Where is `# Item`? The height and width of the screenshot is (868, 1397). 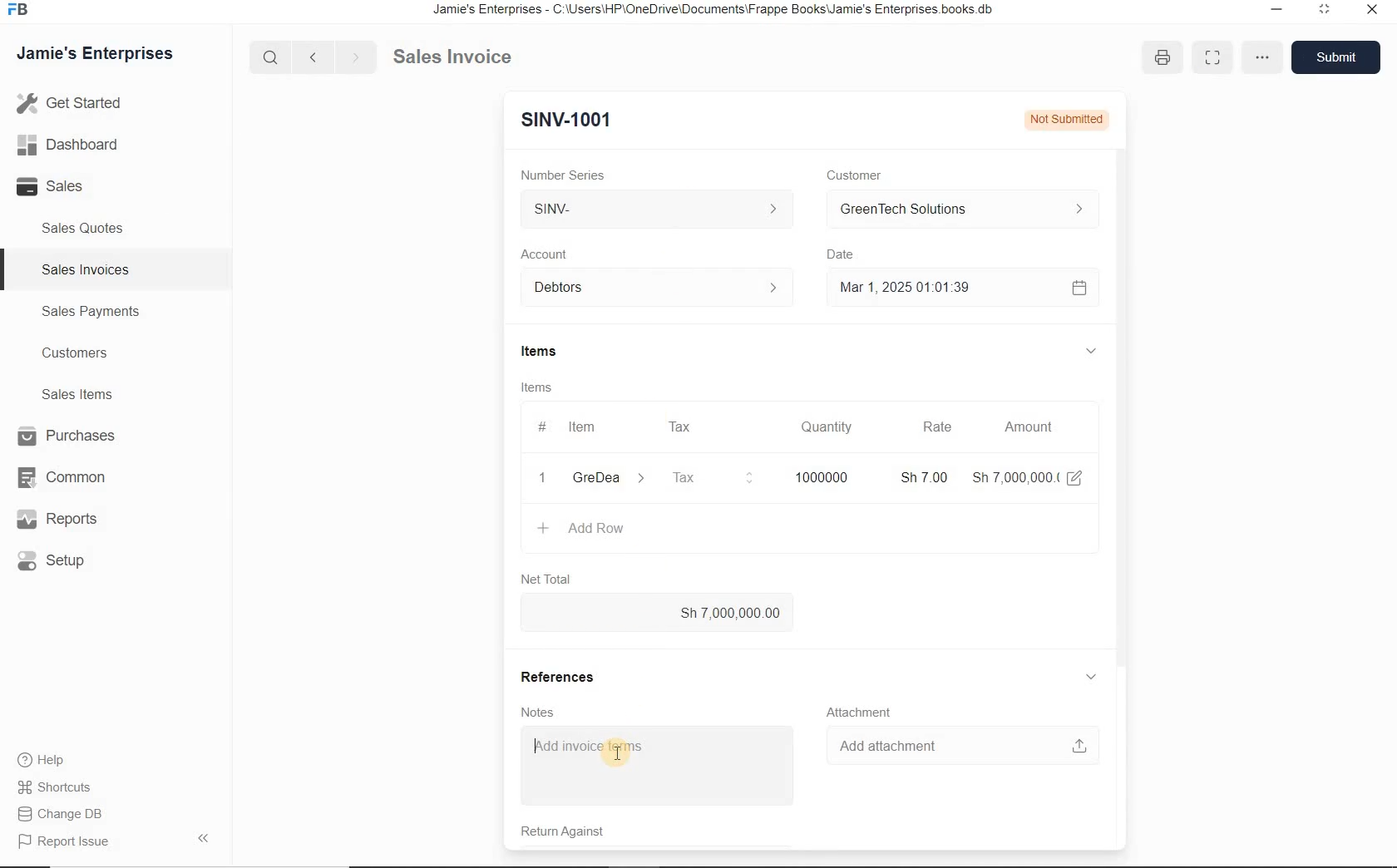
# Item is located at coordinates (578, 429).